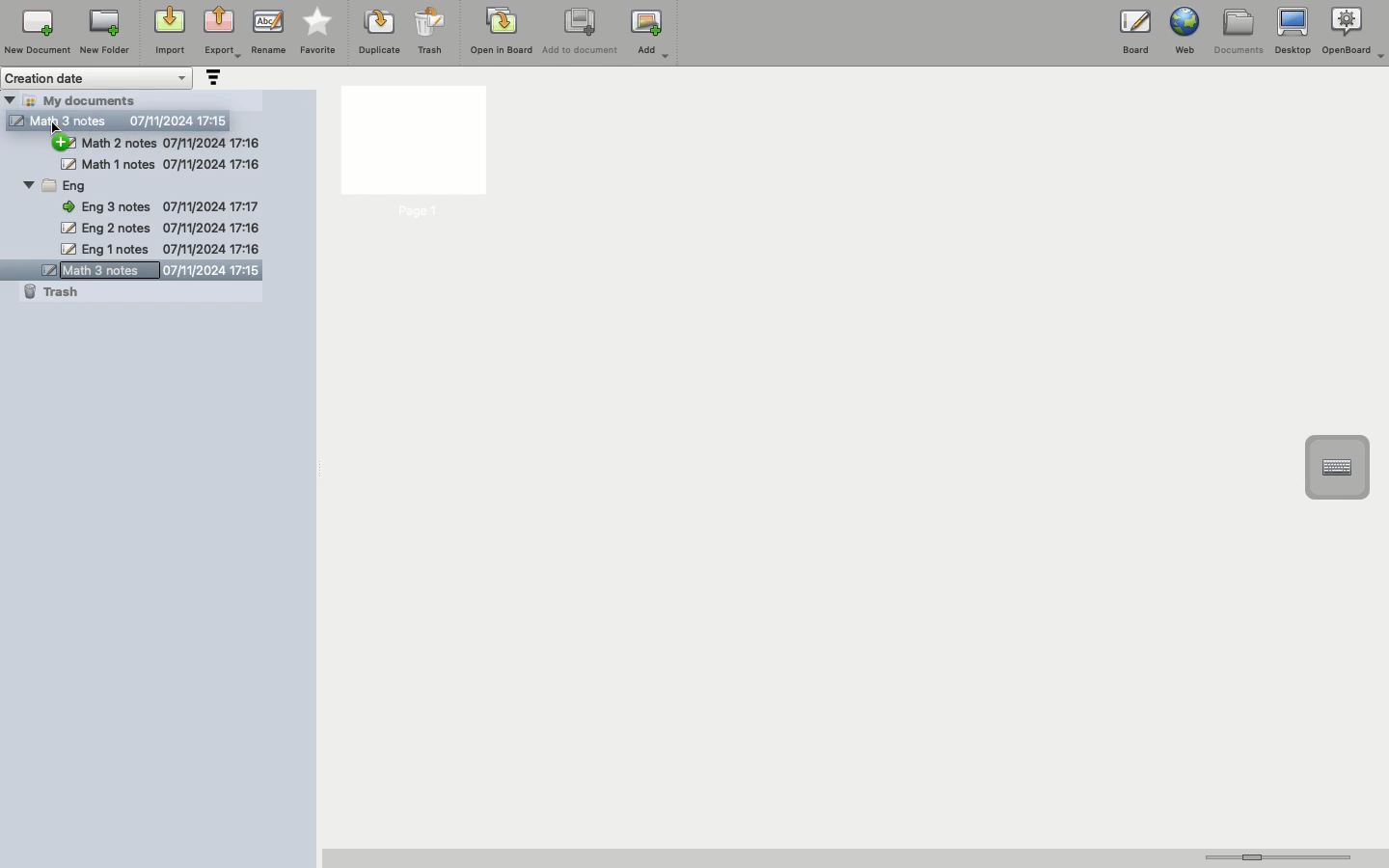 The image size is (1389, 868). I want to click on Creation date, so click(98, 78).